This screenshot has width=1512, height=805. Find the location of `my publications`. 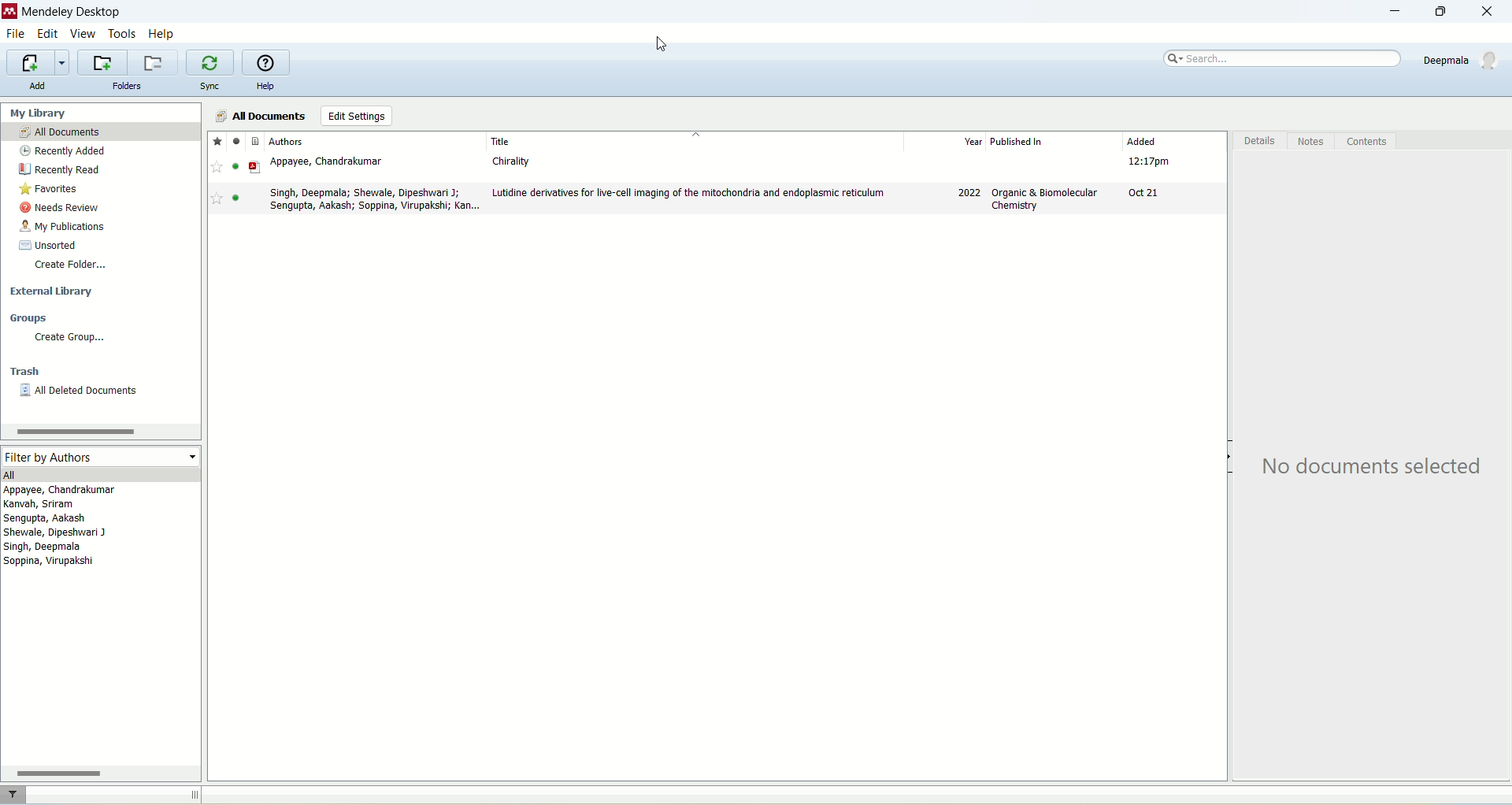

my publications is located at coordinates (60, 226).